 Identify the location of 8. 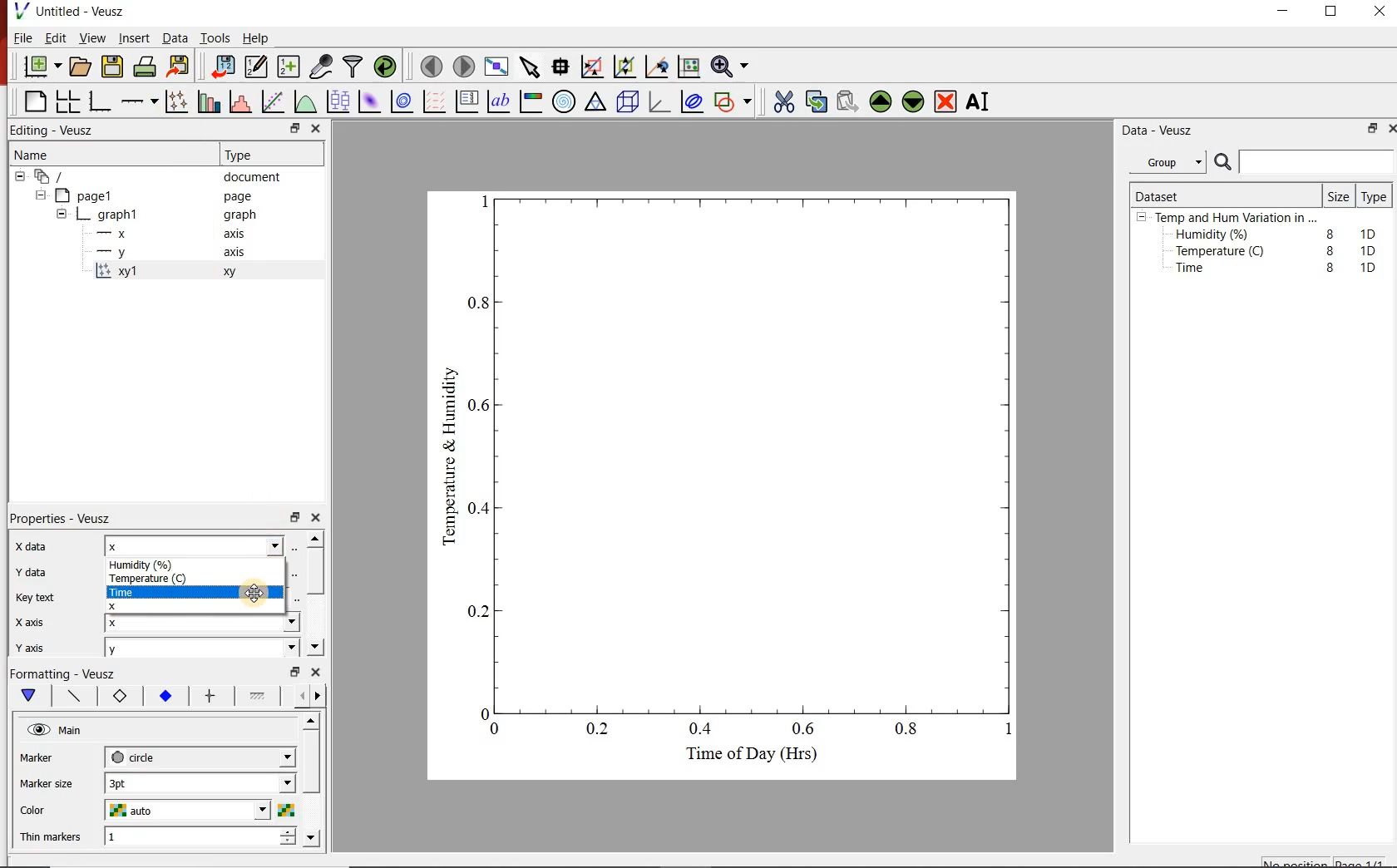
(1327, 249).